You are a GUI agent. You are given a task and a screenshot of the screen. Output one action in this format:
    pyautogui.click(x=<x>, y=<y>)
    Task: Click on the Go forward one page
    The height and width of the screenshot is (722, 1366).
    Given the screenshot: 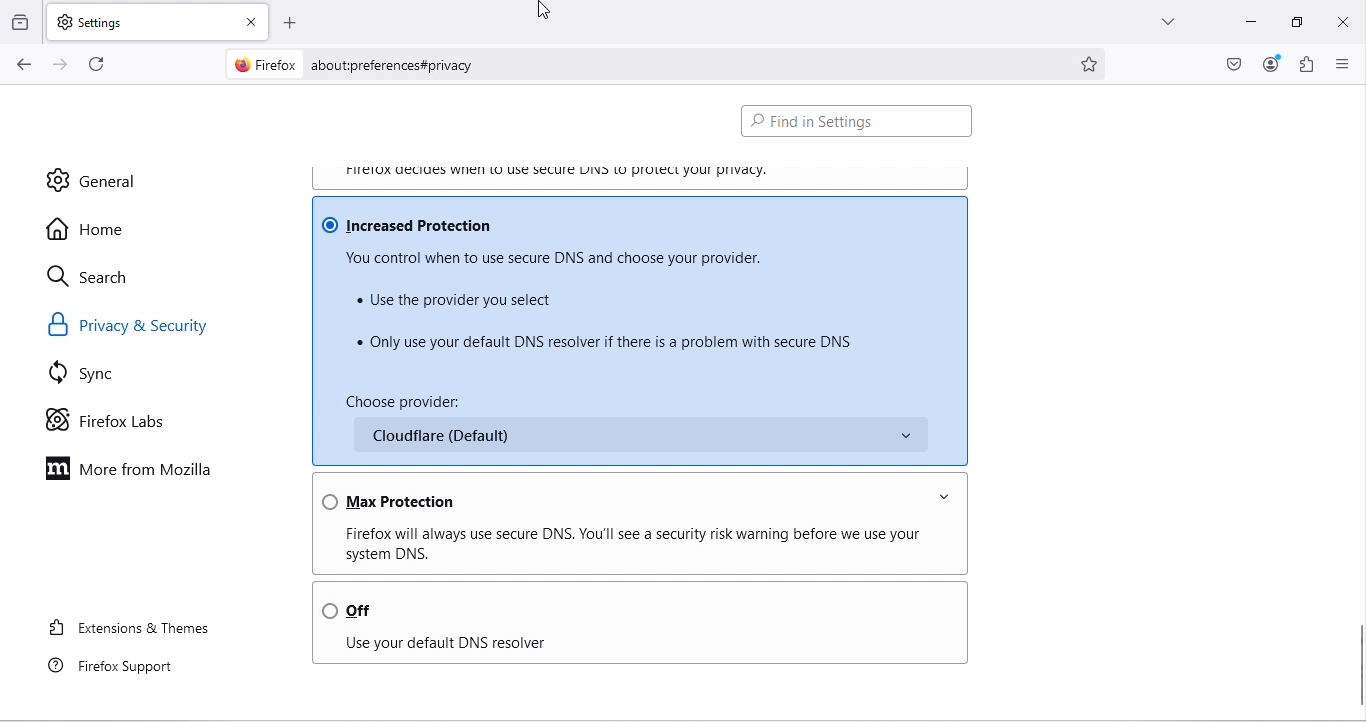 What is the action you would take?
    pyautogui.click(x=59, y=65)
    